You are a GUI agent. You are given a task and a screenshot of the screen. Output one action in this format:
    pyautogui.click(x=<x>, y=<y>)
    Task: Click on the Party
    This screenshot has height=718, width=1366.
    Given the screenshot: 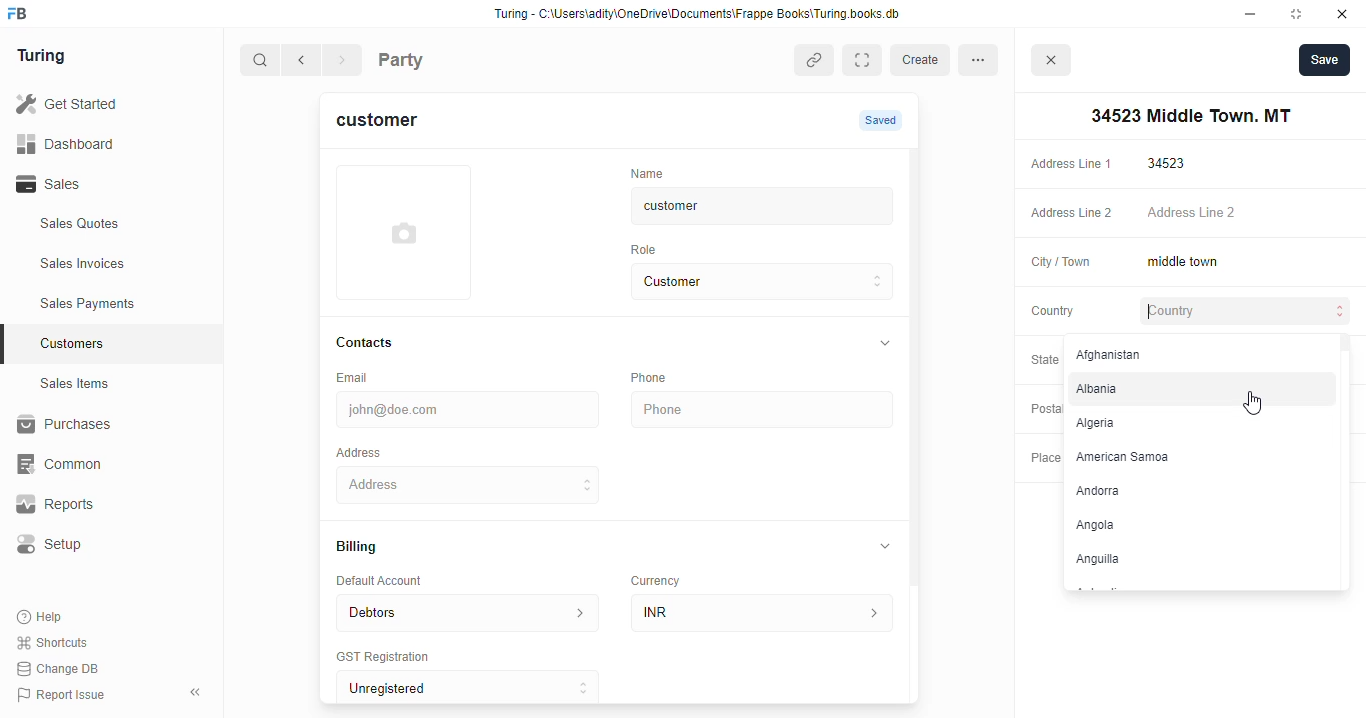 What is the action you would take?
    pyautogui.click(x=442, y=58)
    